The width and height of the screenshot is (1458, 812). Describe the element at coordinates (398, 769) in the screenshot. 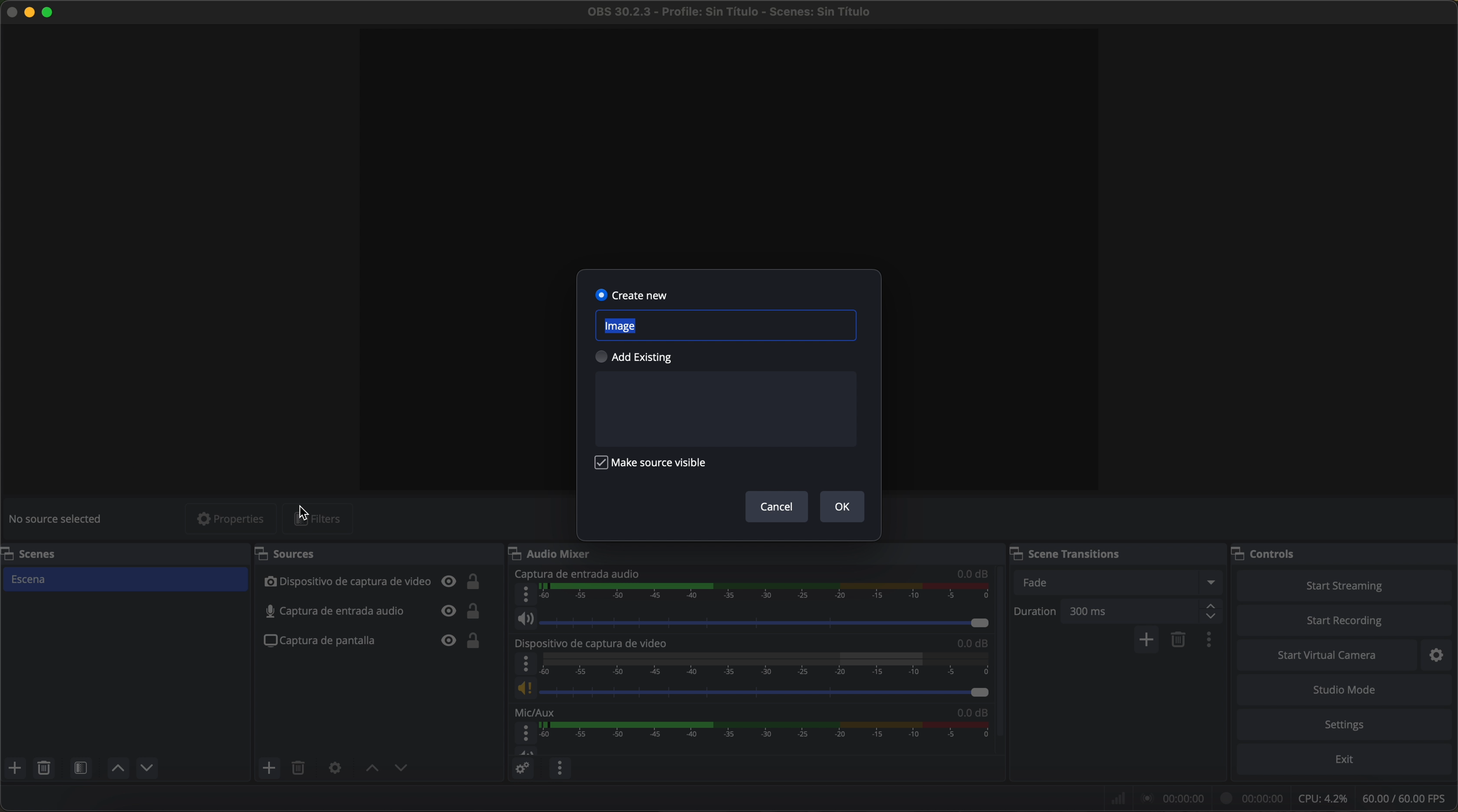

I see `move source down` at that location.